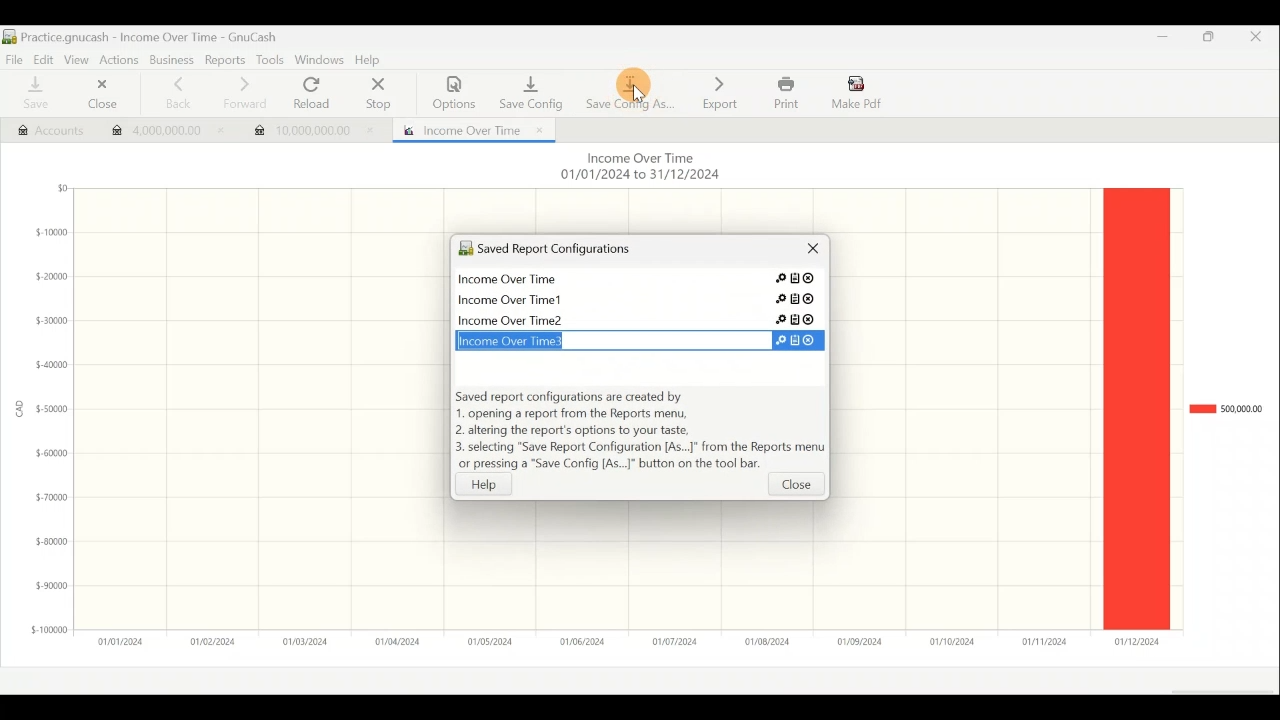 This screenshot has width=1280, height=720. I want to click on Saved report configurations, so click(605, 251).